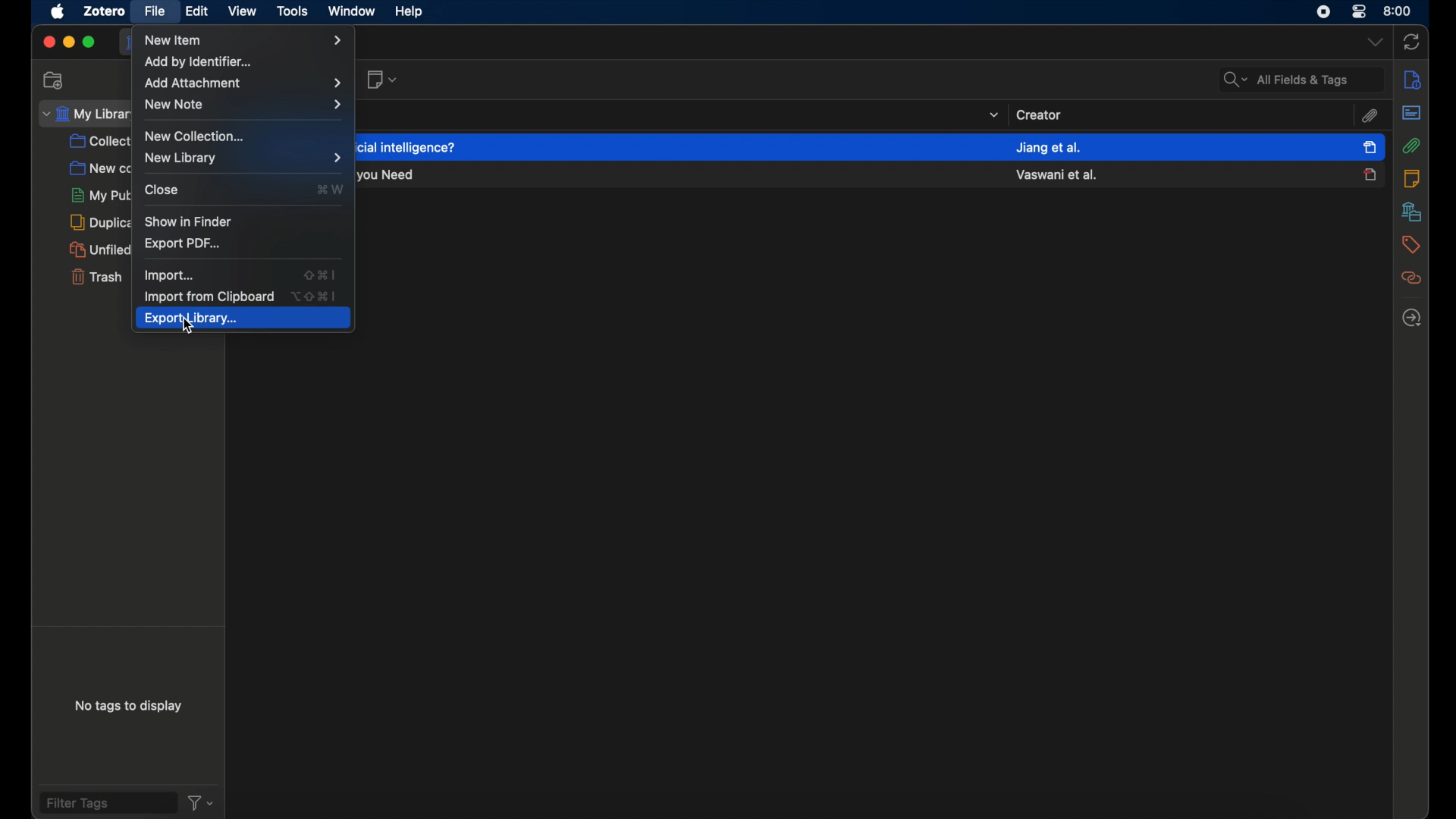  Describe the element at coordinates (1411, 318) in the screenshot. I see `locate` at that location.